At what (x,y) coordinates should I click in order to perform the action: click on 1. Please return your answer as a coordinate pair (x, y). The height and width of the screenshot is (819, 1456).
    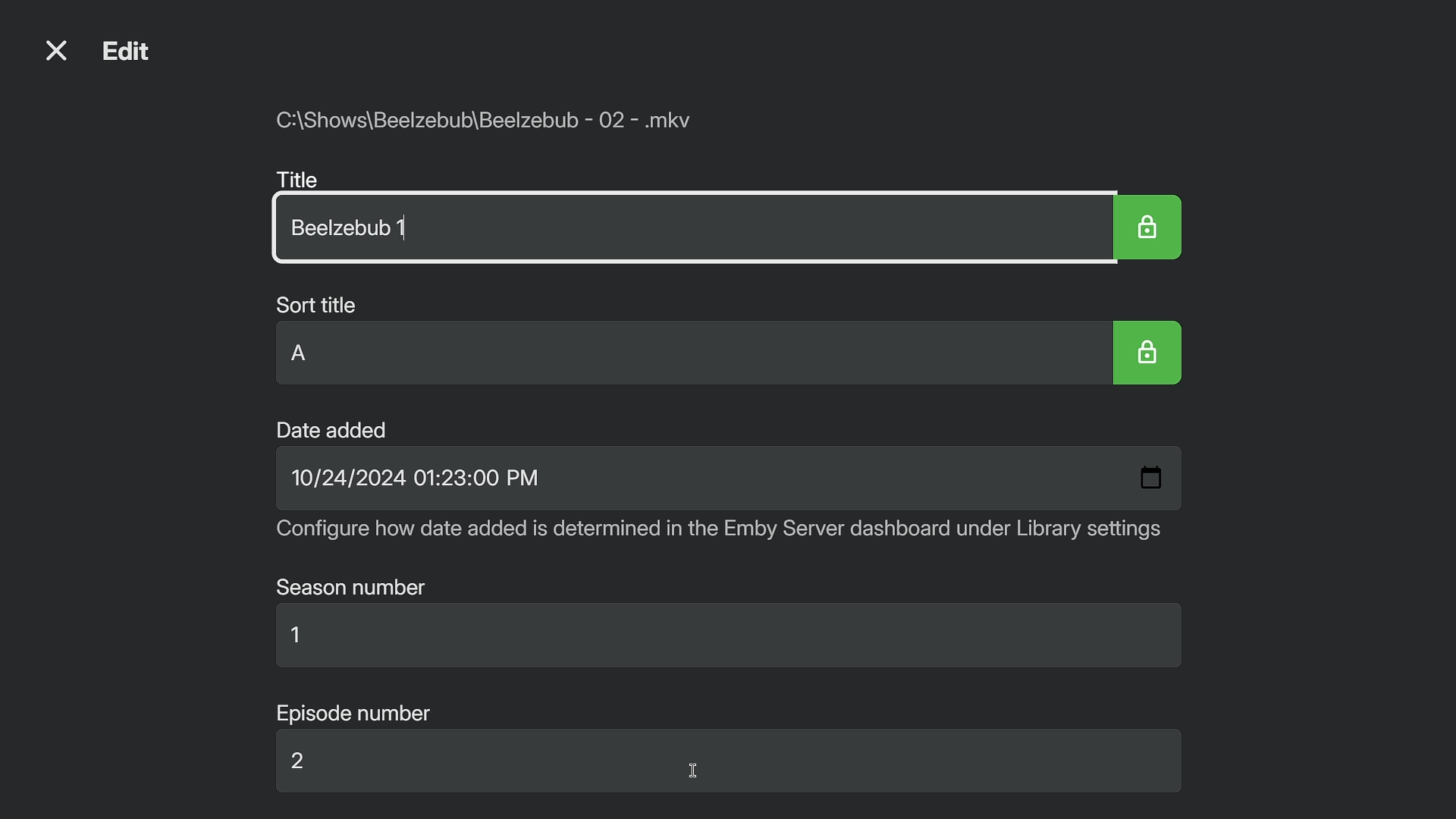
    Looking at the image, I should click on (299, 639).